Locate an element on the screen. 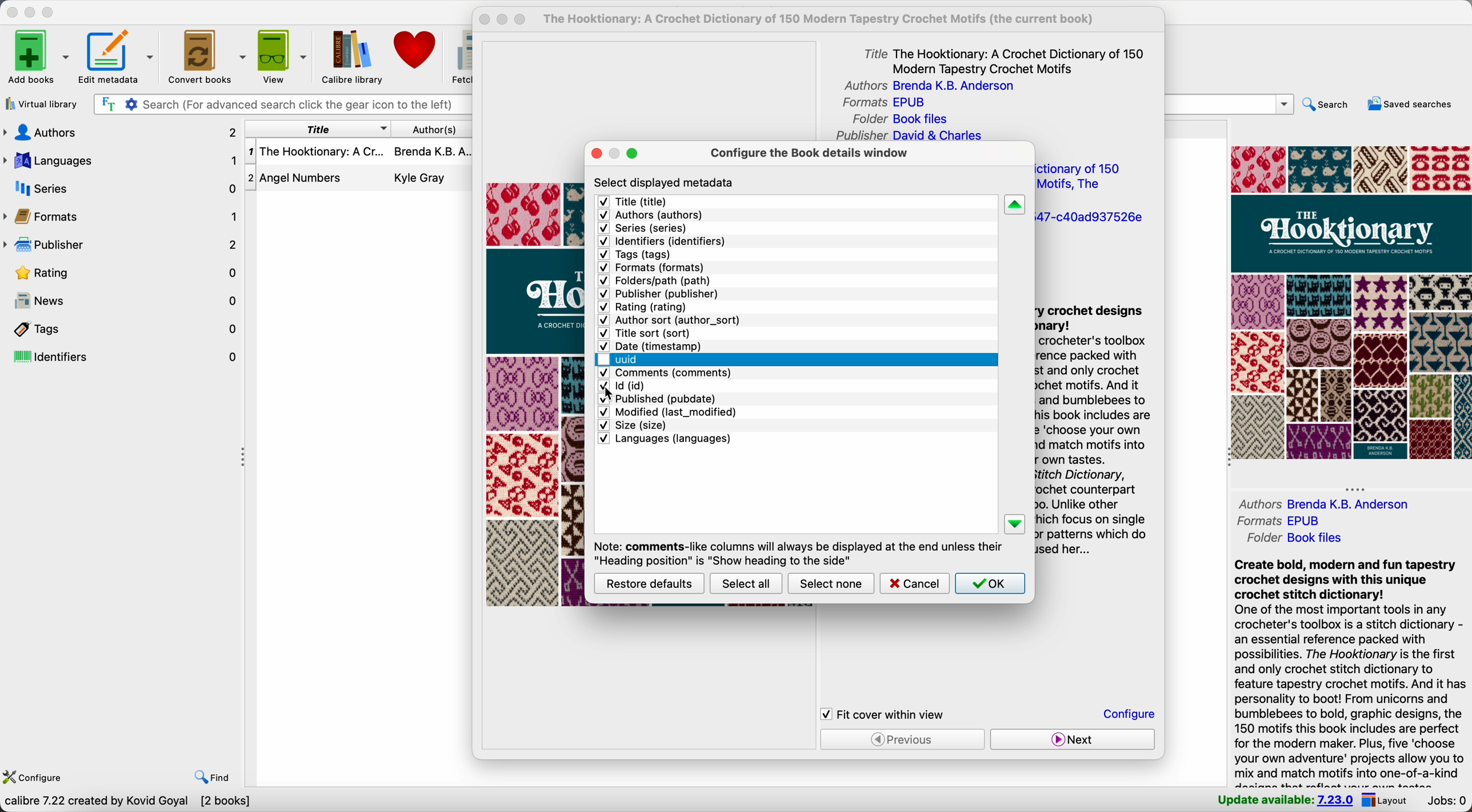  donate is located at coordinates (417, 50).